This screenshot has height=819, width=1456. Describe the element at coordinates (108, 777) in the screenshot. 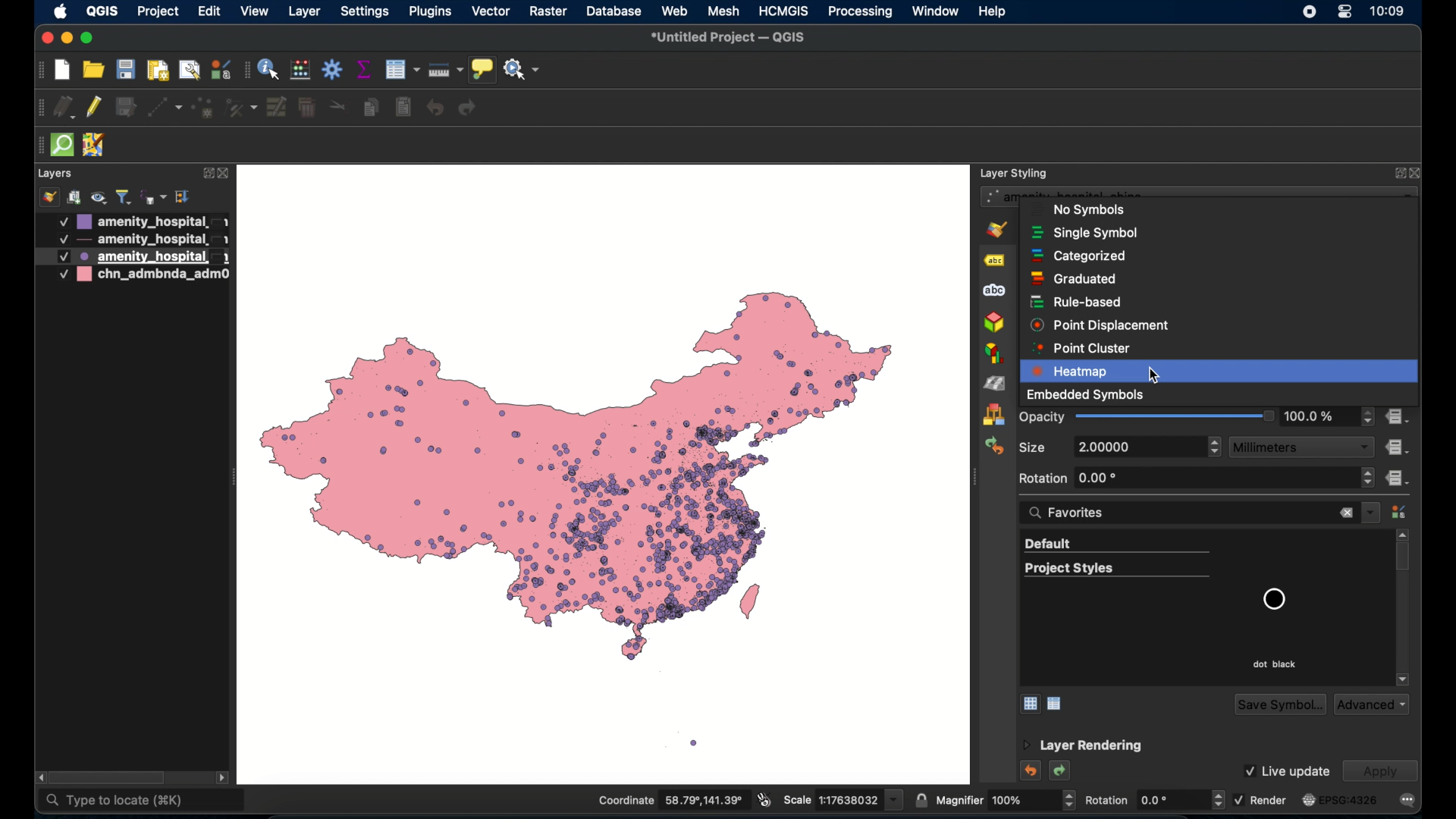

I see `` at that location.